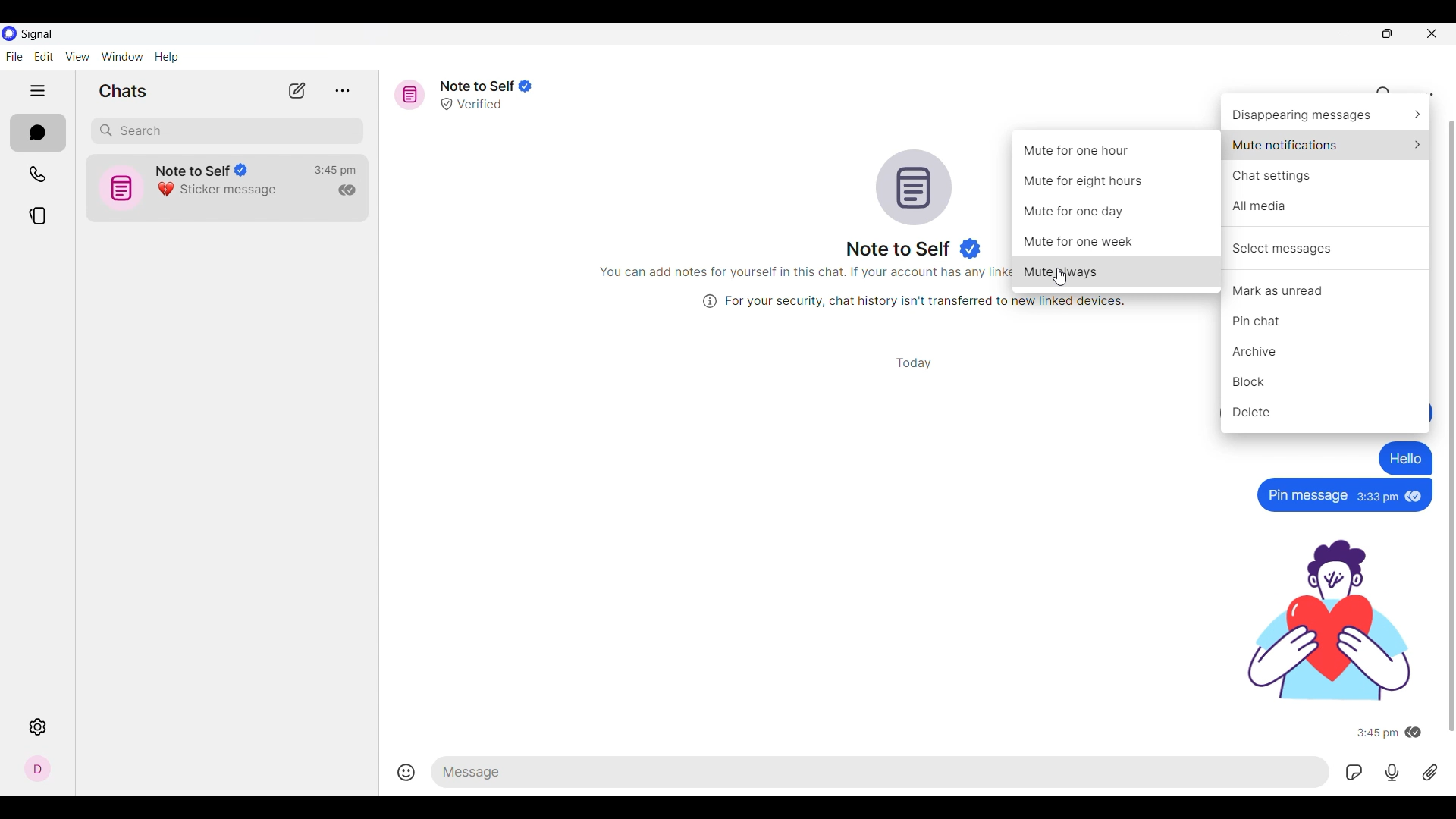  I want to click on Mute for one hour, so click(1080, 150).